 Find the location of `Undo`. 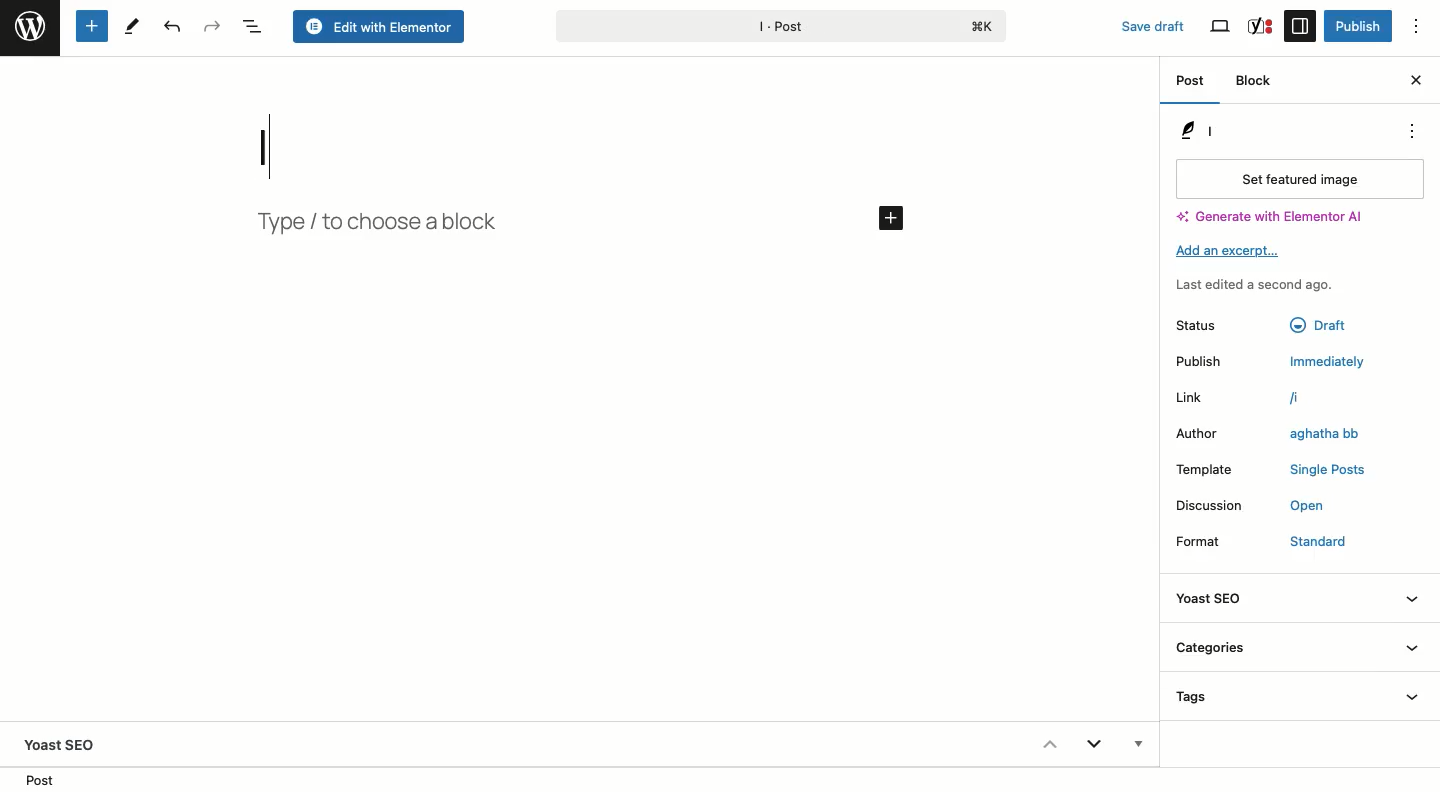

Undo is located at coordinates (170, 28).